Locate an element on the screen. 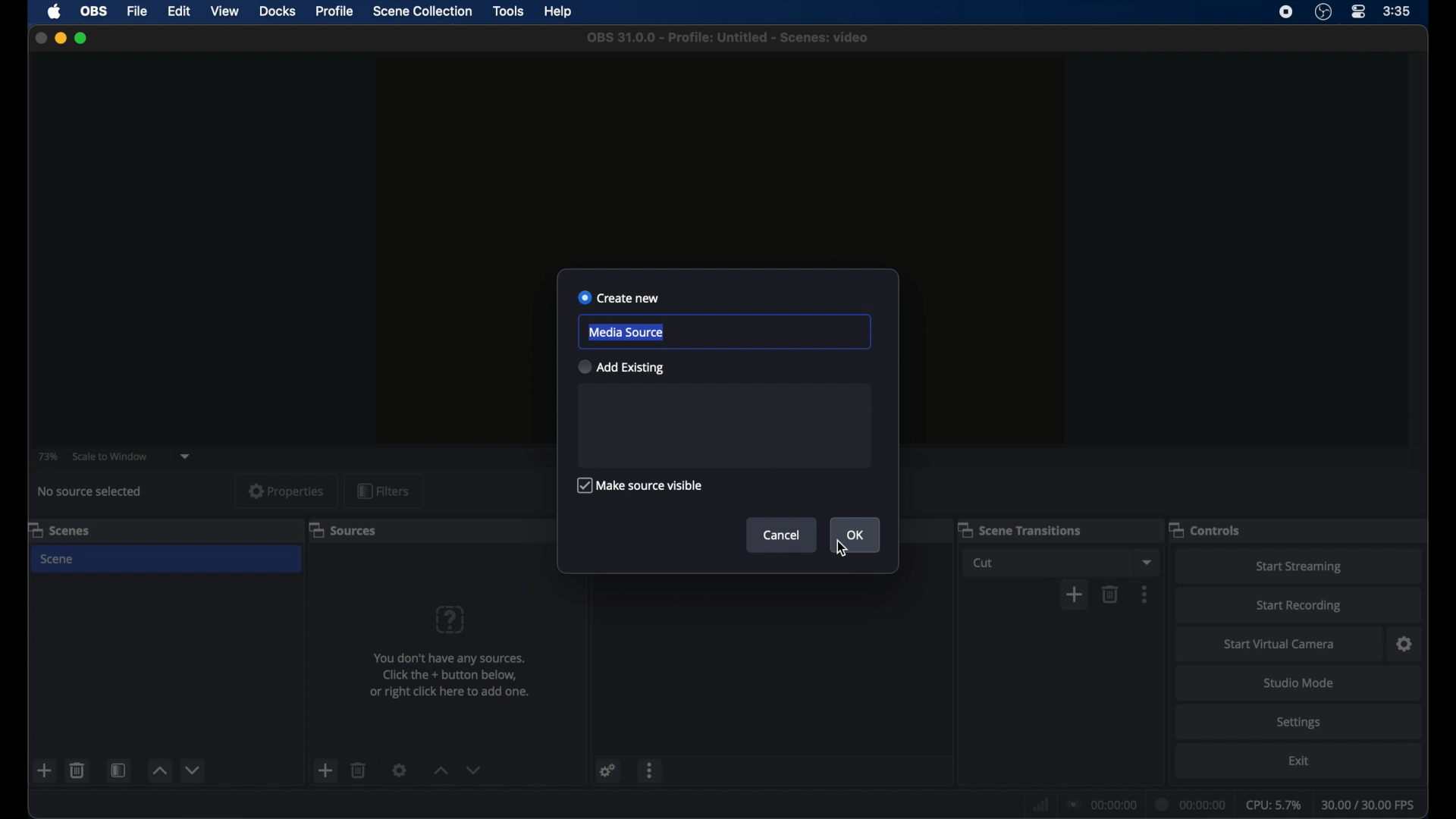  create new is located at coordinates (620, 298).